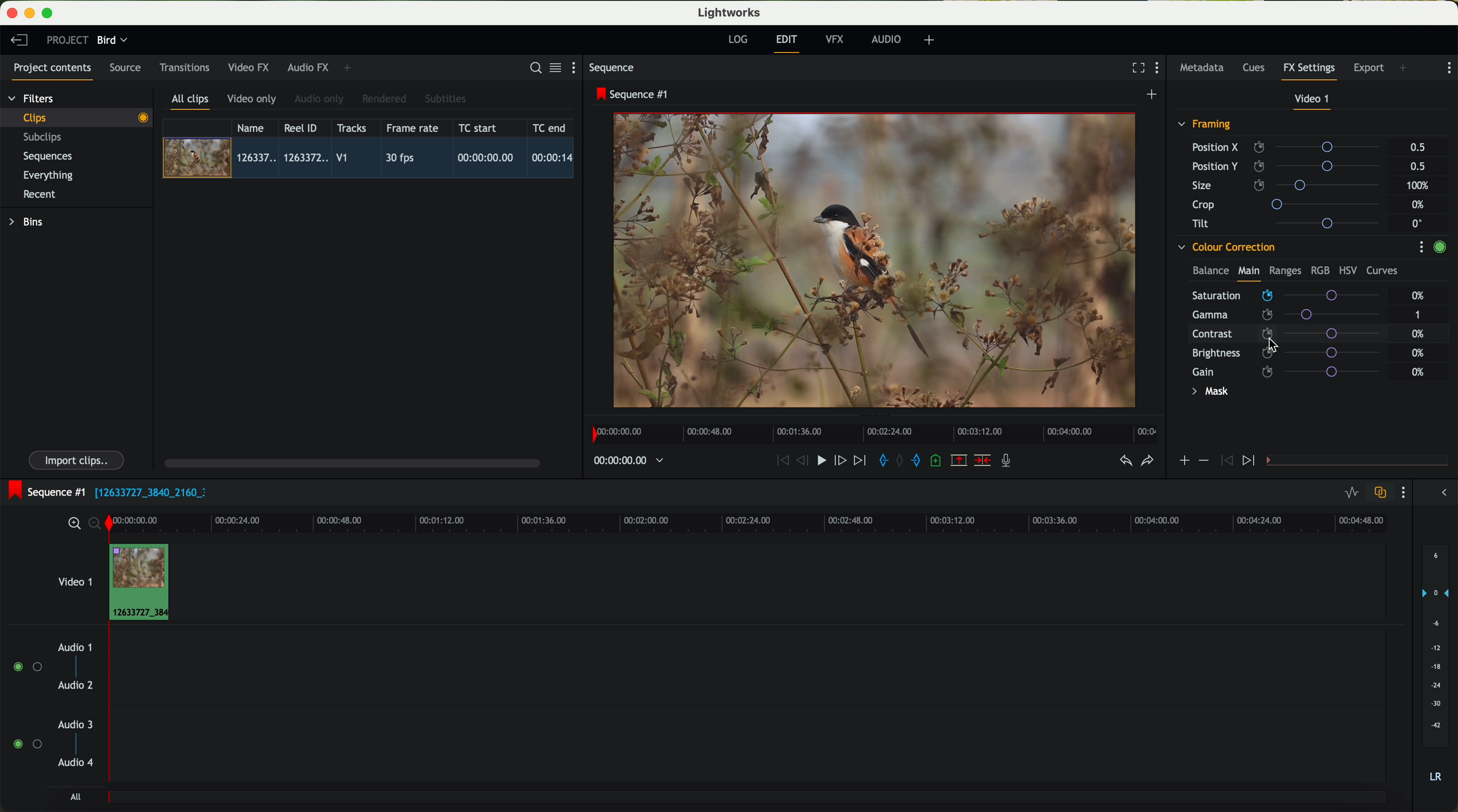 This screenshot has width=1458, height=812. What do you see at coordinates (1290, 166) in the screenshot?
I see `position Y` at bounding box center [1290, 166].